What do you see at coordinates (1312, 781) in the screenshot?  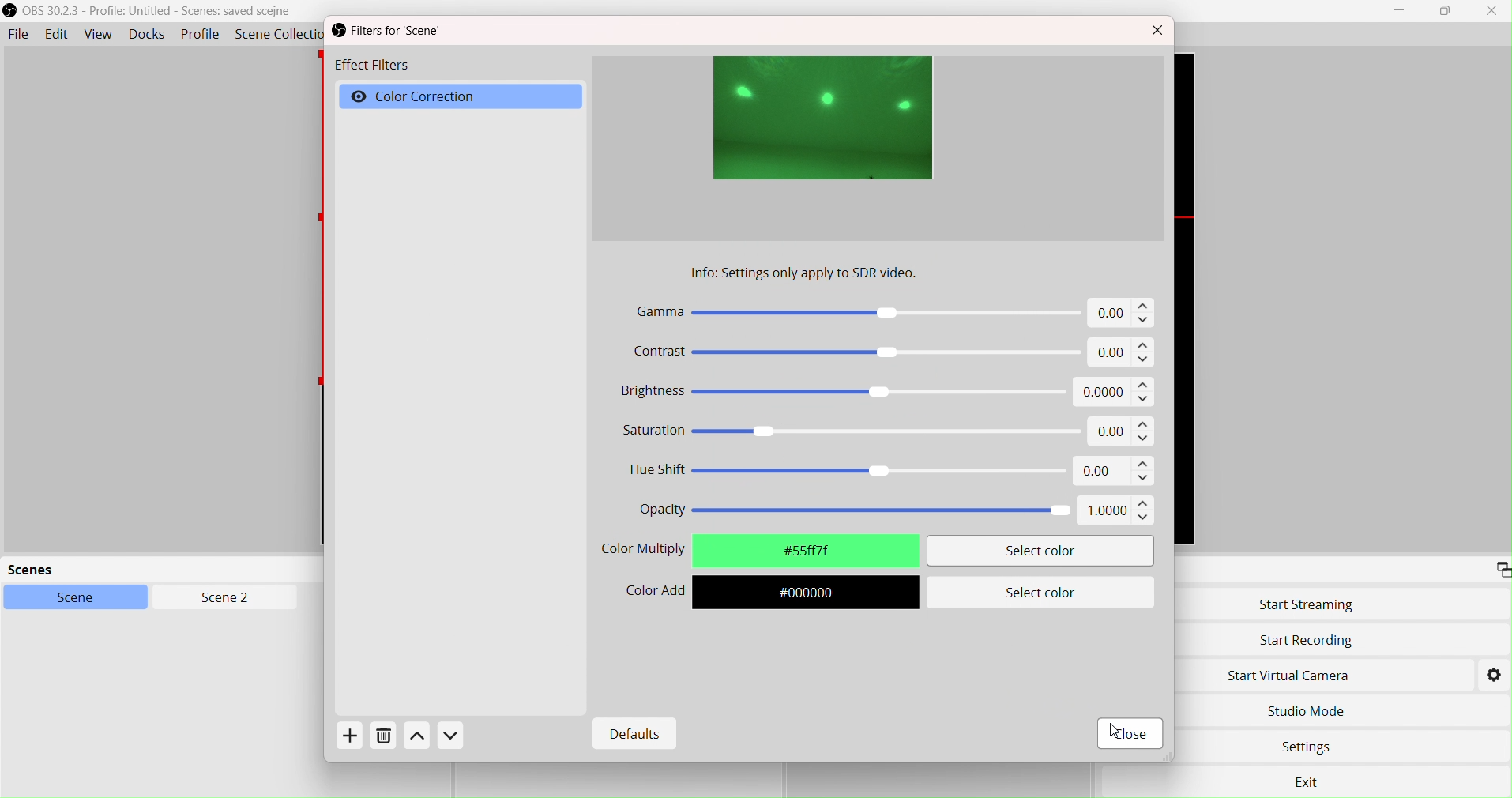 I see `exit` at bounding box center [1312, 781].